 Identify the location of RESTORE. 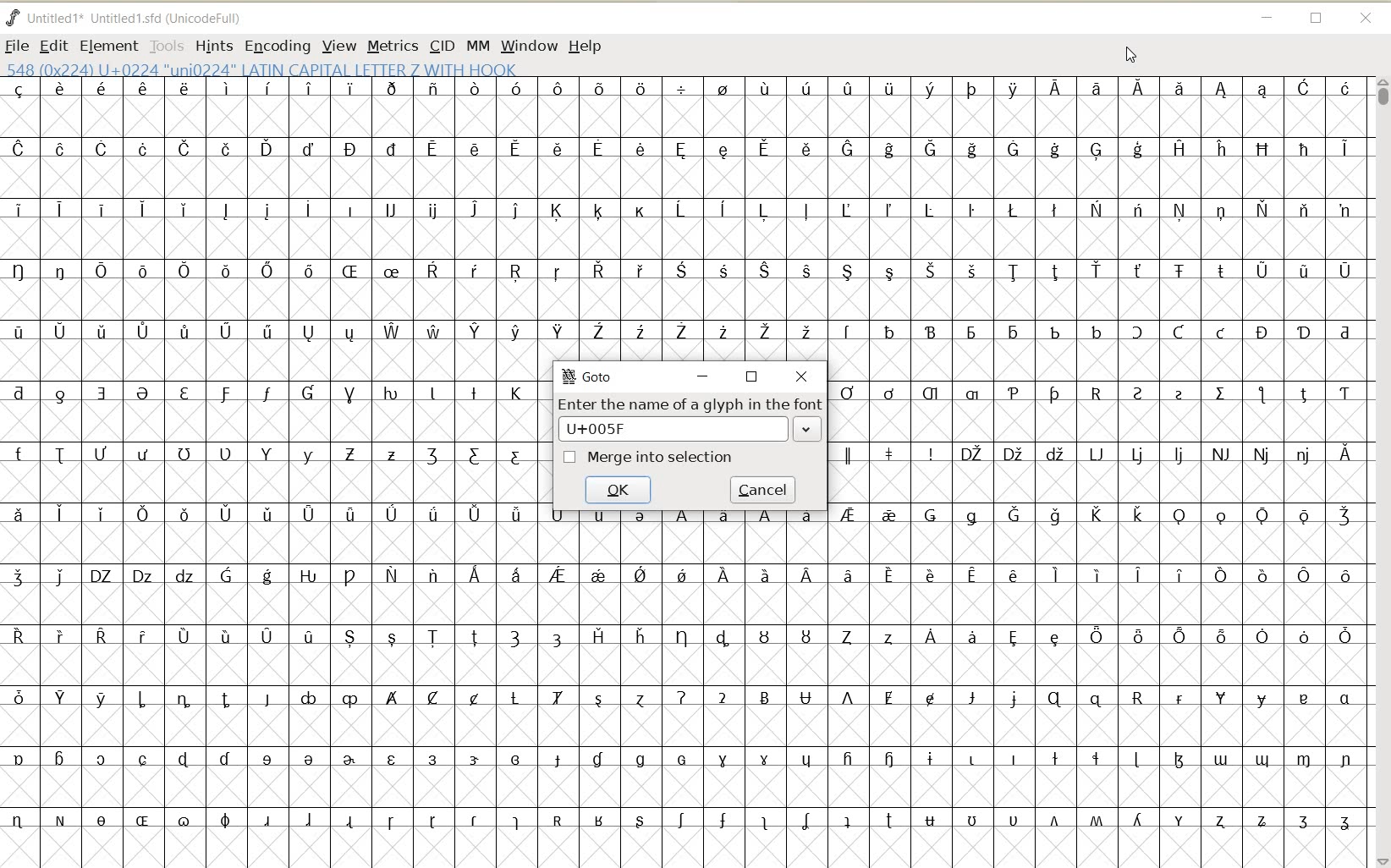
(1317, 19).